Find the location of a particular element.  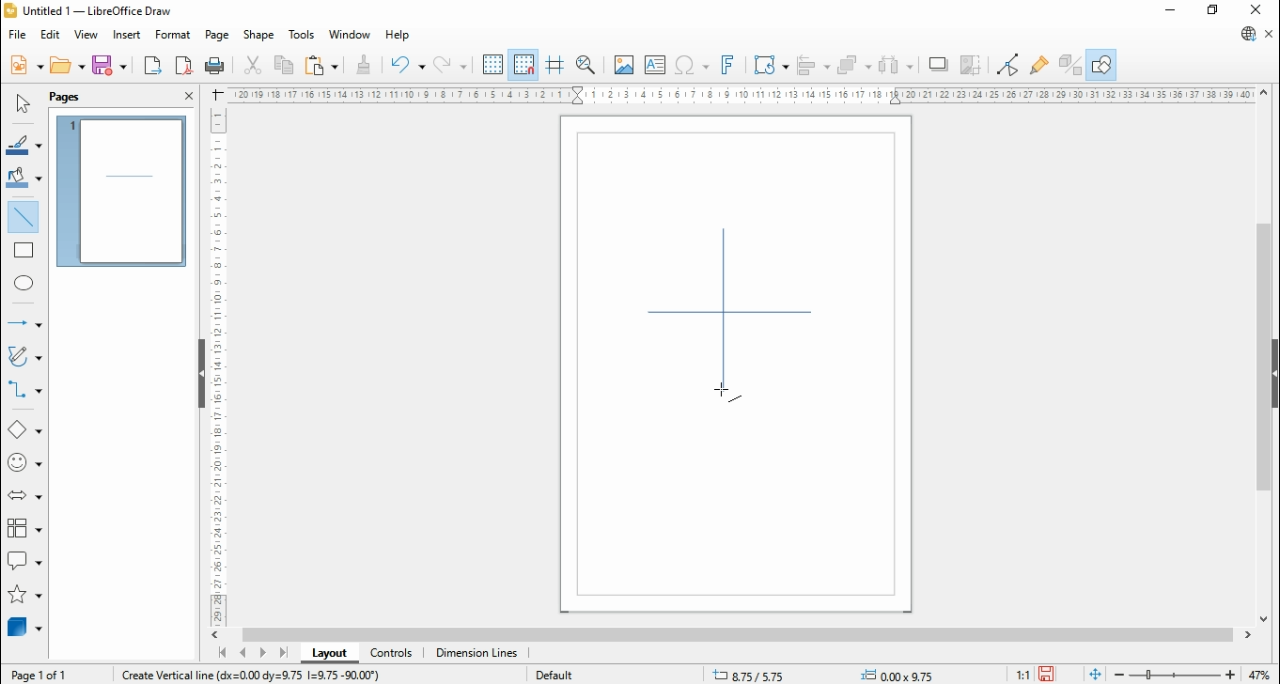

1:1 is located at coordinates (1021, 675).